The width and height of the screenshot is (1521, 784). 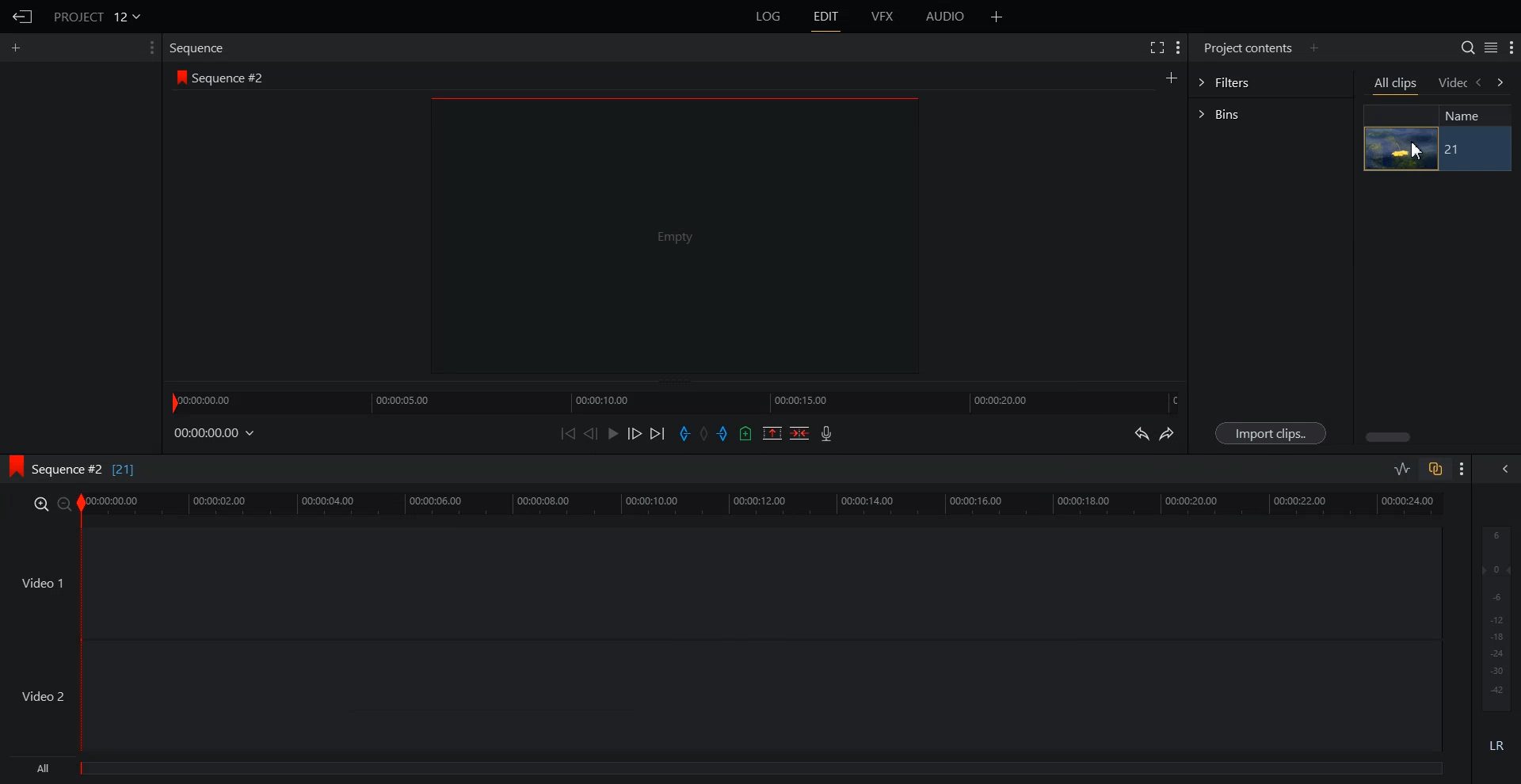 What do you see at coordinates (1179, 48) in the screenshot?
I see `Show Setting Menu` at bounding box center [1179, 48].